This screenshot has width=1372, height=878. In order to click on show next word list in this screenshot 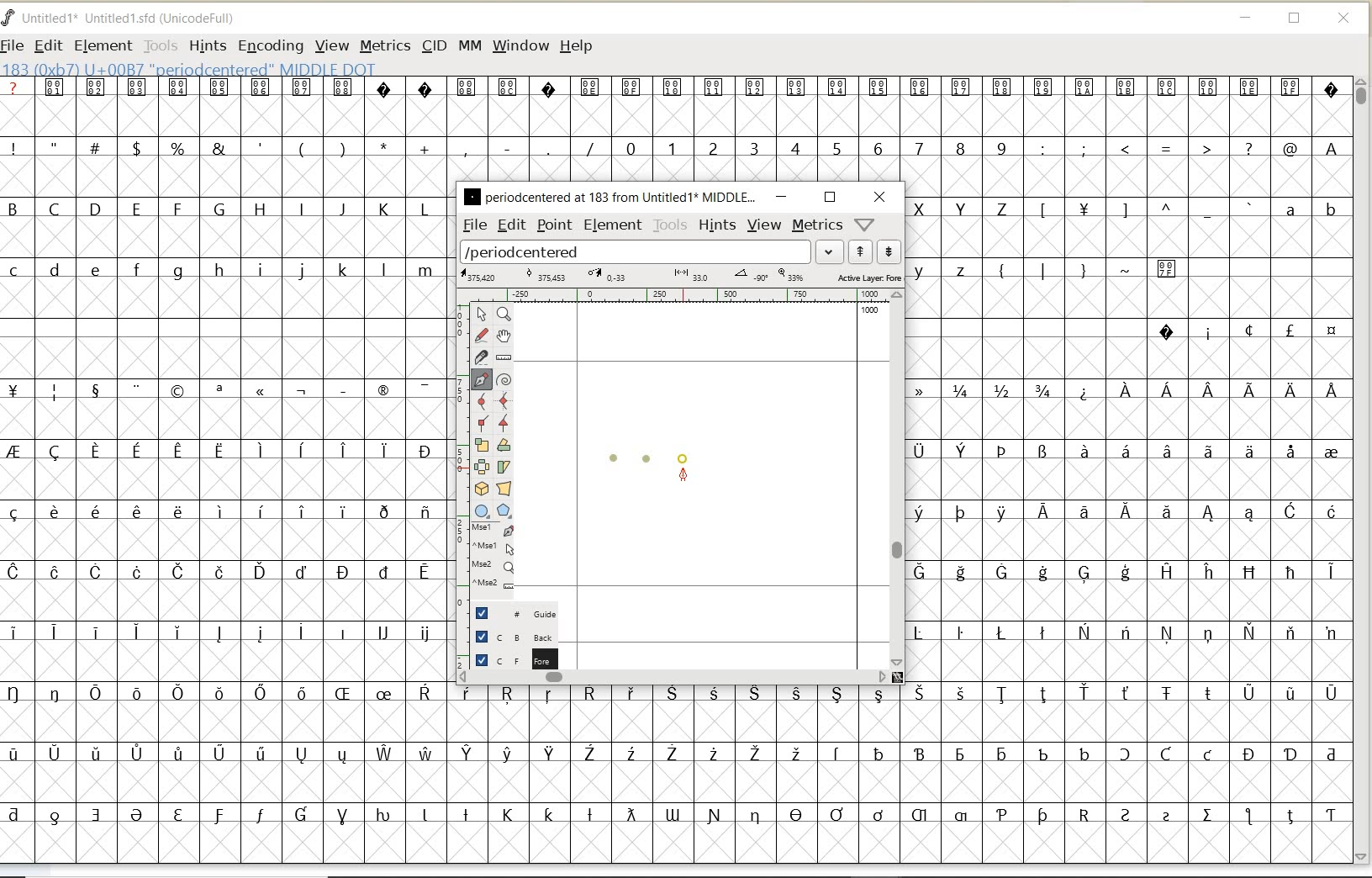, I will do `click(891, 252)`.